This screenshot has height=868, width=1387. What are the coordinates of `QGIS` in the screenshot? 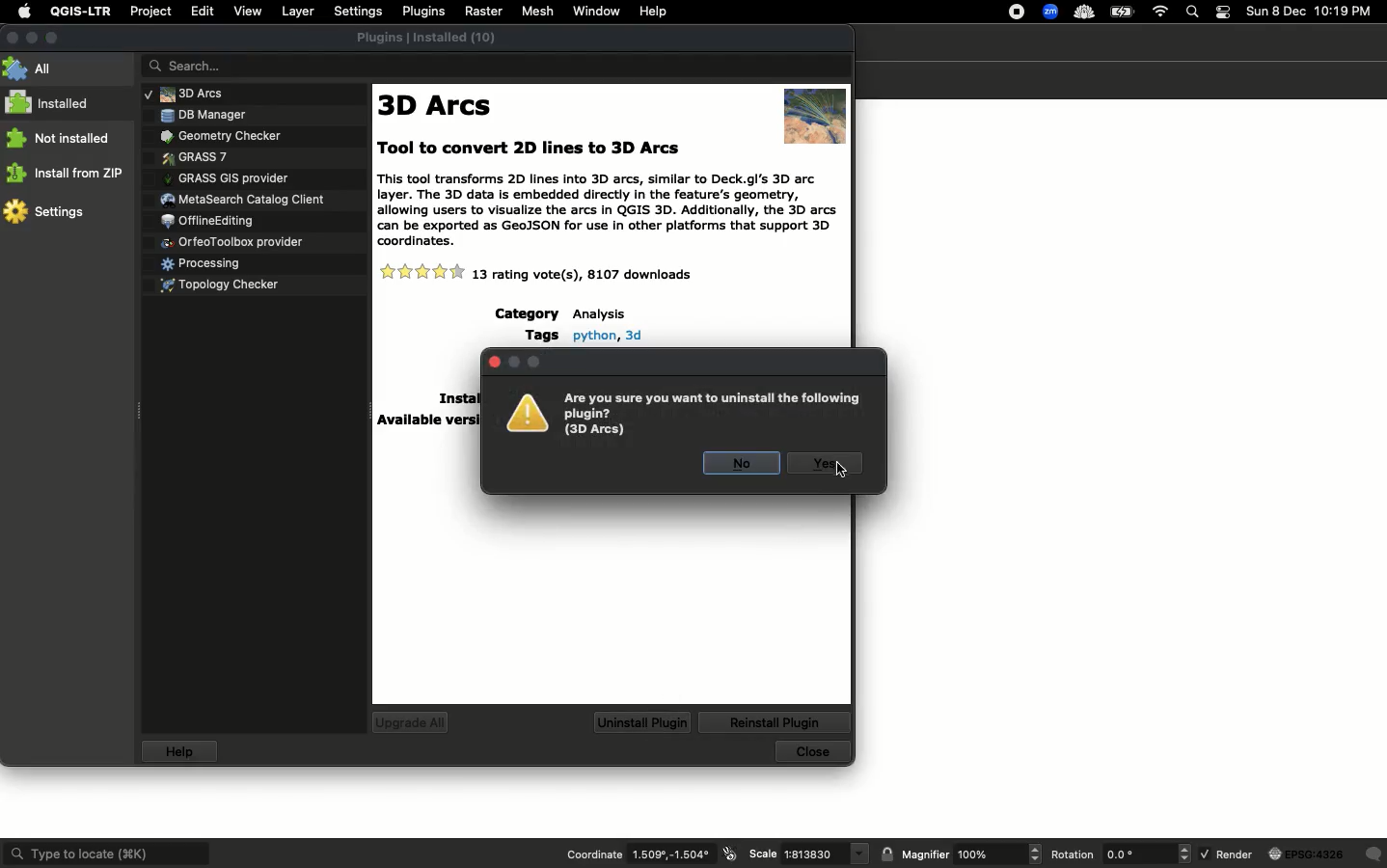 It's located at (81, 13).